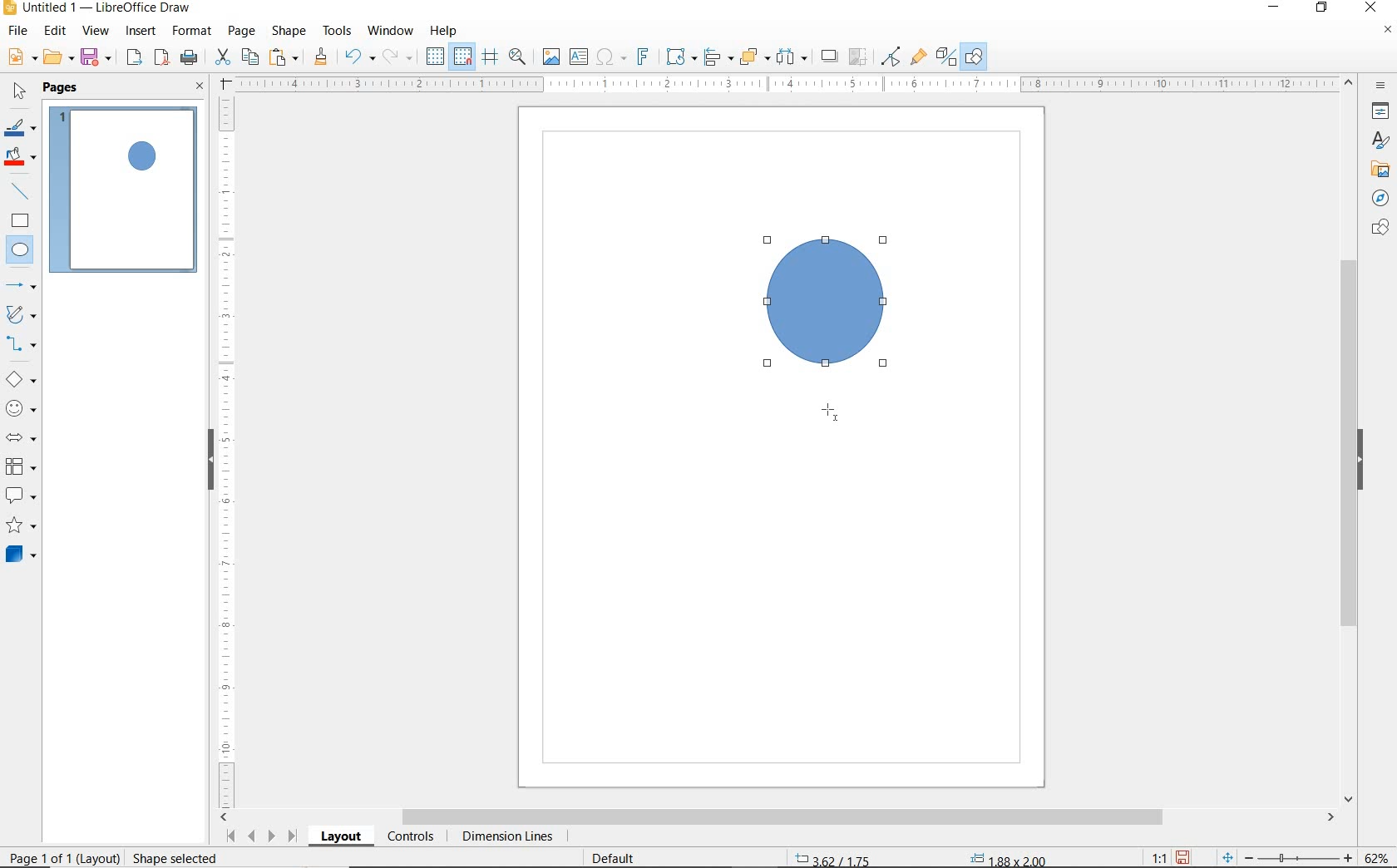 The width and height of the screenshot is (1397, 868). What do you see at coordinates (144, 158) in the screenshot?
I see `CIRCLE ADDED` at bounding box center [144, 158].